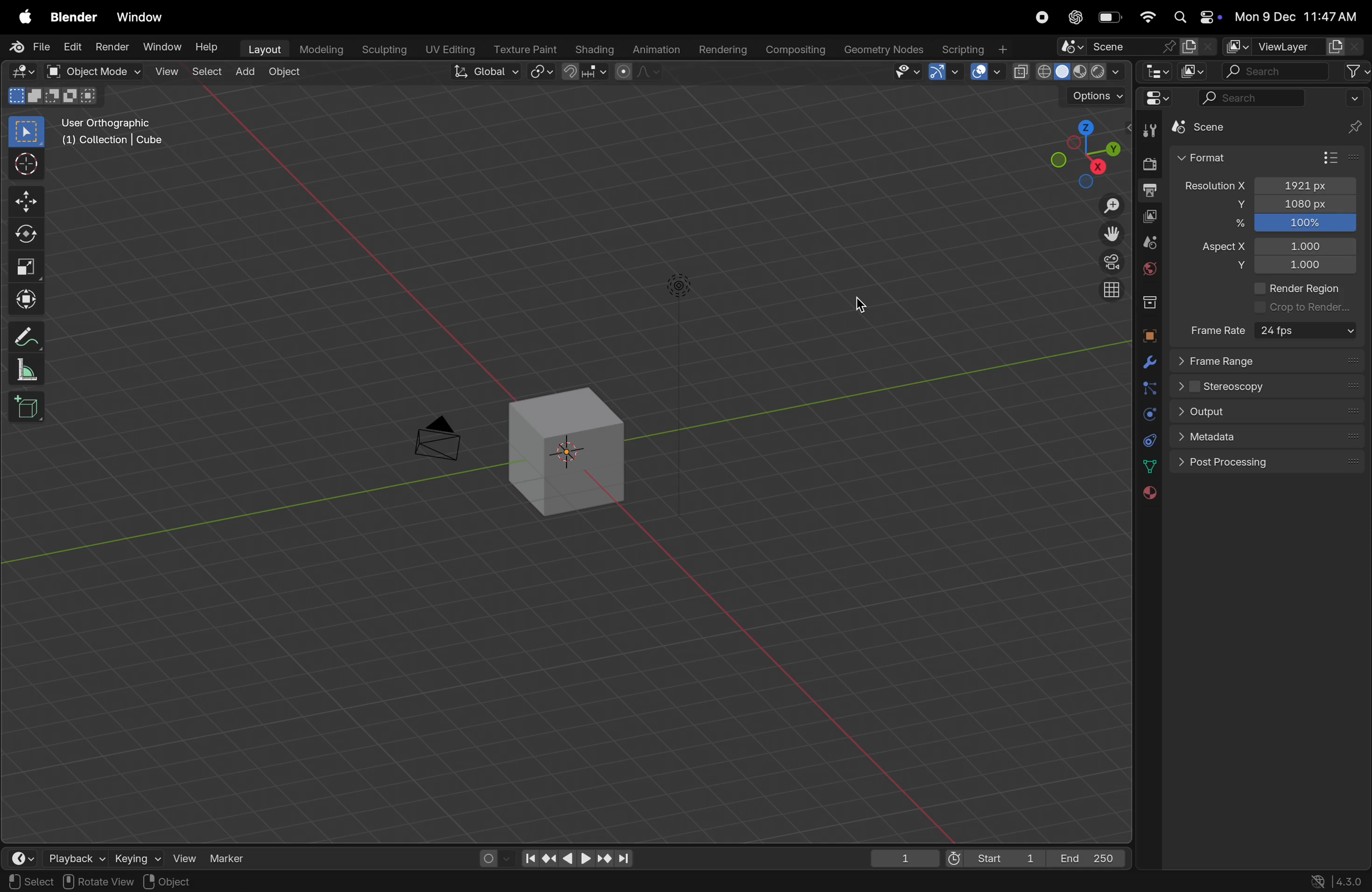 The image size is (1372, 892). I want to click on y, so click(1234, 266).